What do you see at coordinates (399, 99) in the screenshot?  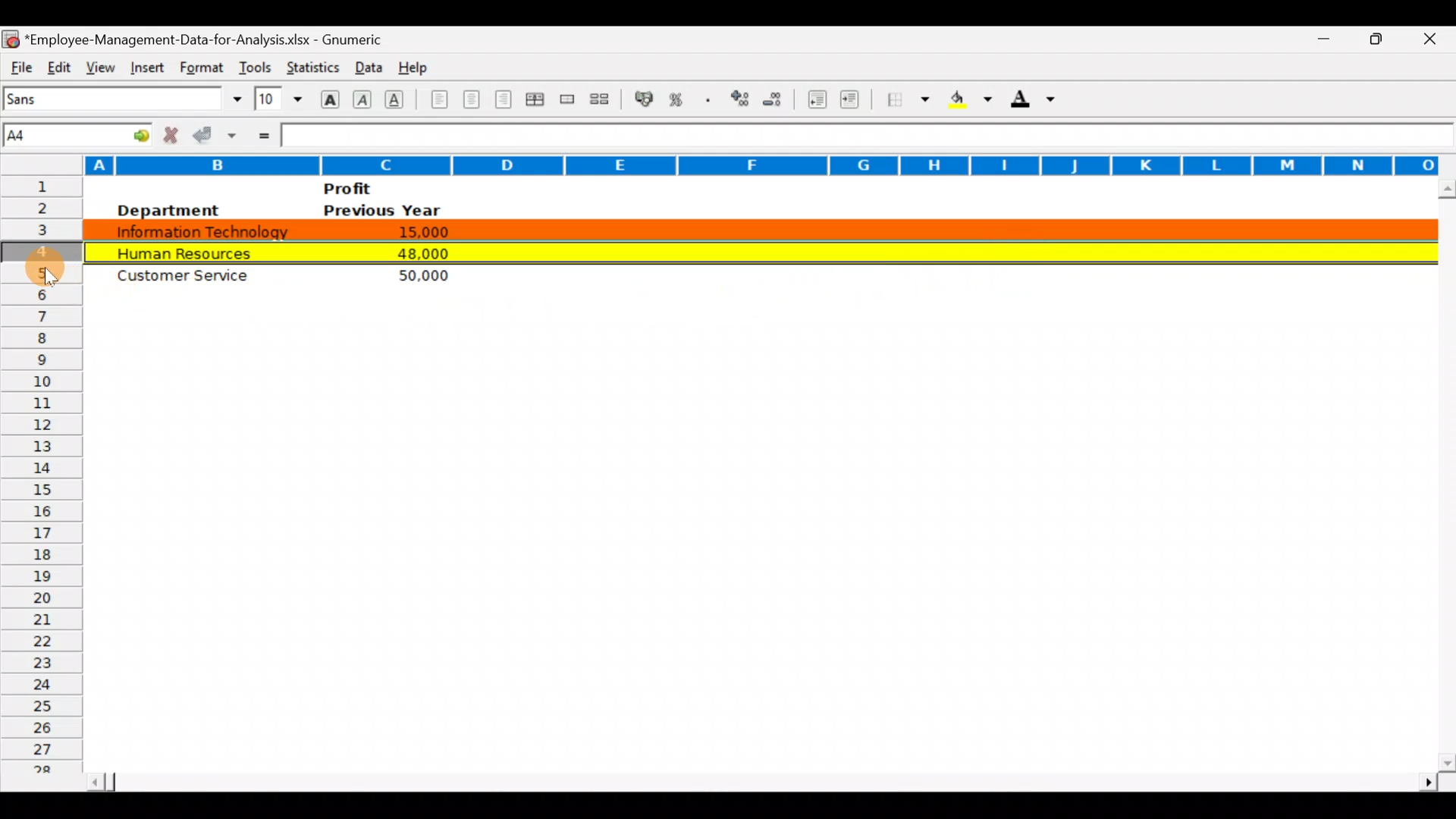 I see `Underline` at bounding box center [399, 99].